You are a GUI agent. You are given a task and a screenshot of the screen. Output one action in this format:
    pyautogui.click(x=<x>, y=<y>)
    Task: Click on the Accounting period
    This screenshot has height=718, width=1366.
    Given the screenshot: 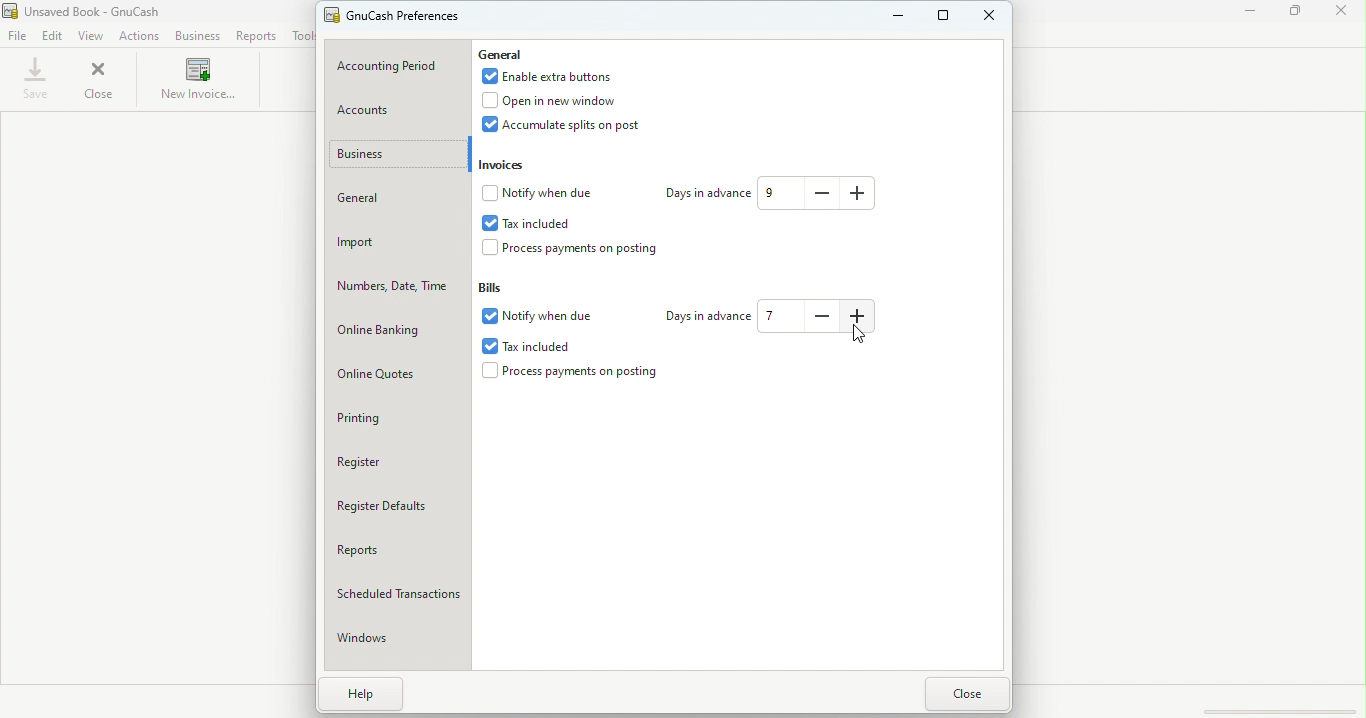 What is the action you would take?
    pyautogui.click(x=399, y=63)
    